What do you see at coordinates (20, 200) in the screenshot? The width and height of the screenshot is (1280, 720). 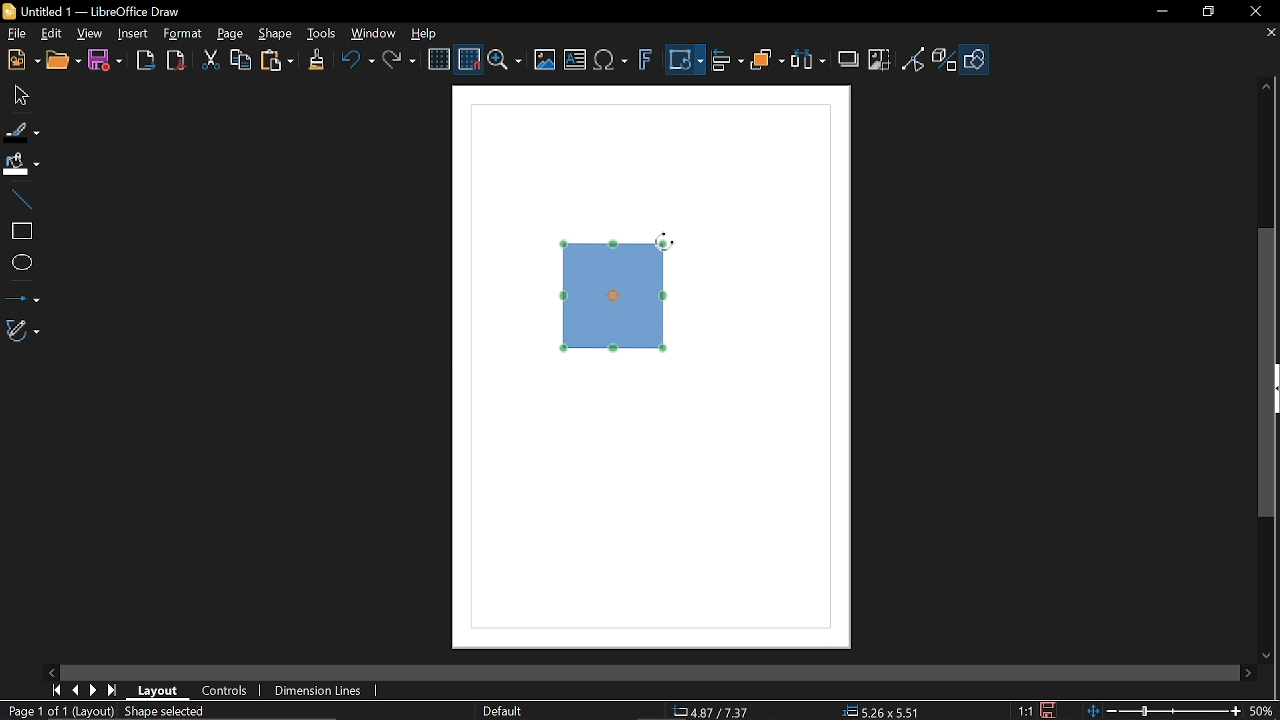 I see `Line` at bounding box center [20, 200].